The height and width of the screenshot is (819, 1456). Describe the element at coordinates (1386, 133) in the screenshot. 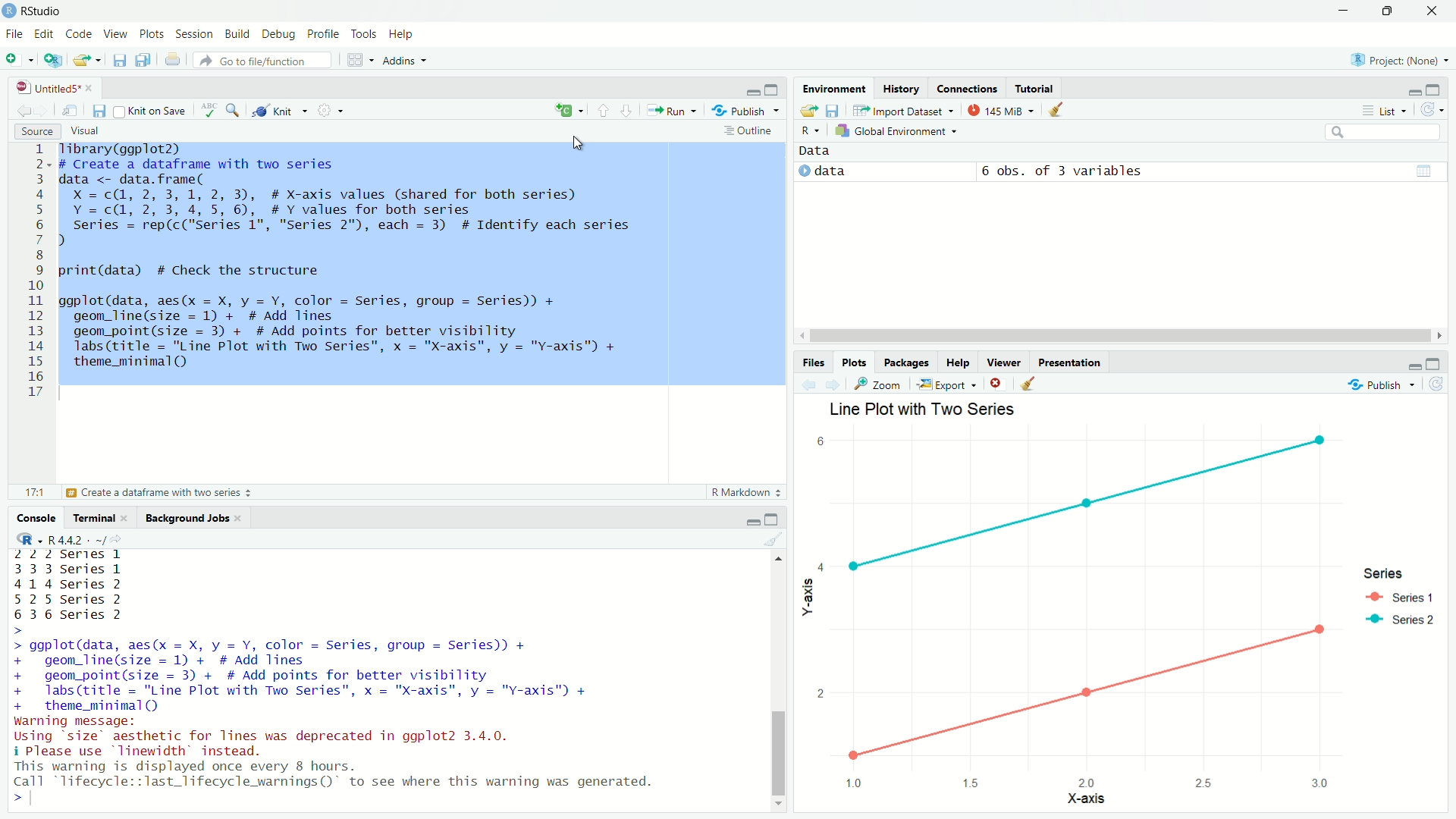

I see `Search edit field` at that location.